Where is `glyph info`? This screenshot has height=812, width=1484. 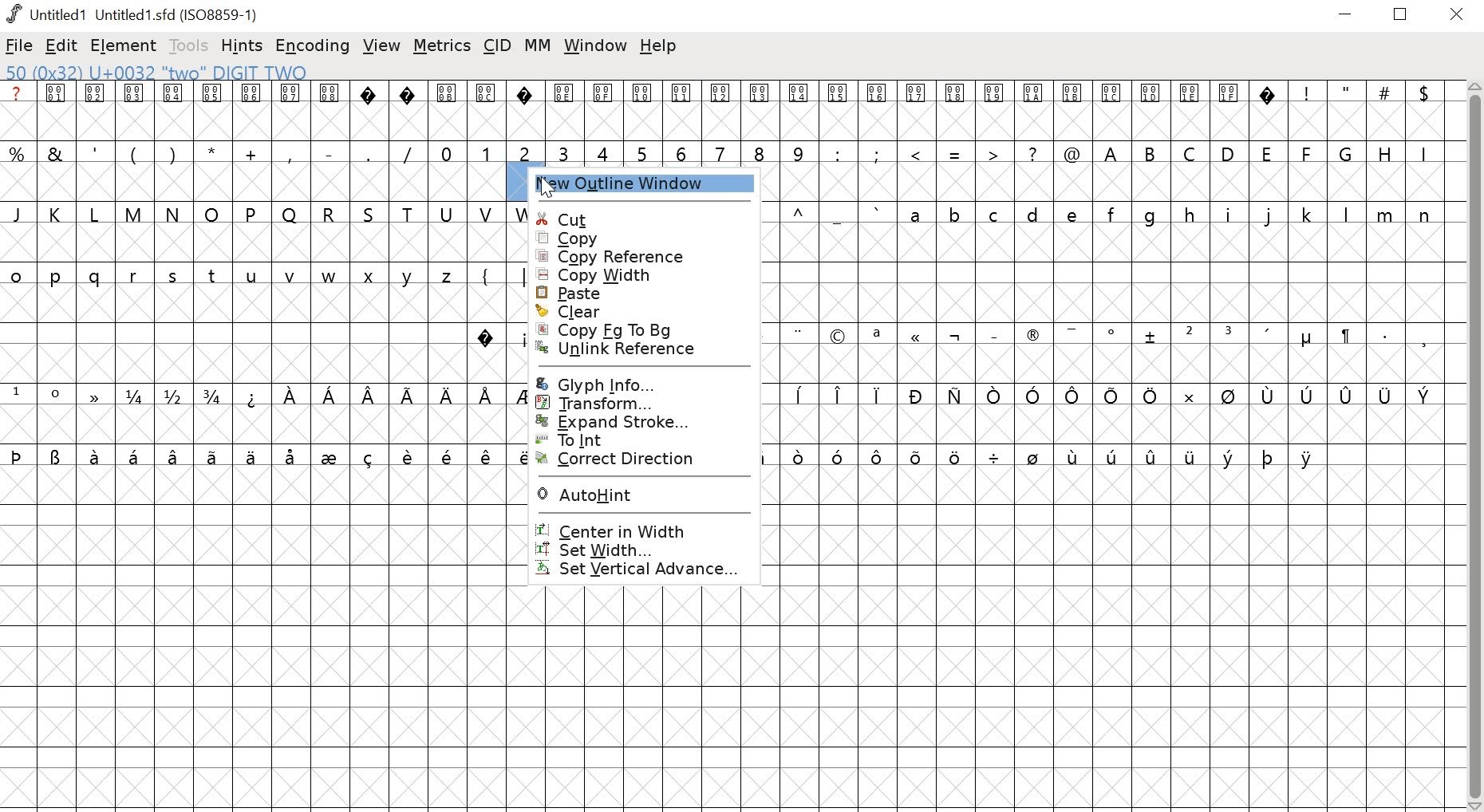
glyph info is located at coordinates (636, 383).